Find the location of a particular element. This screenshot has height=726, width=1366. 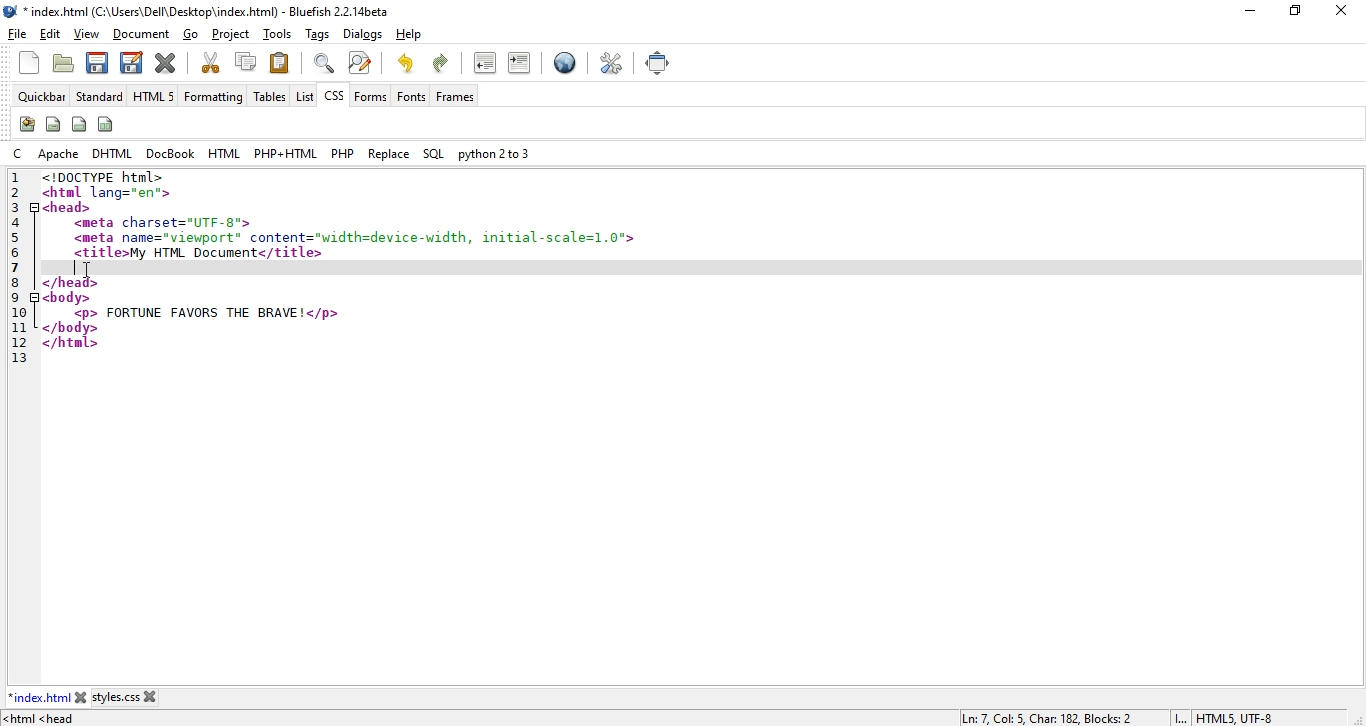

forms is located at coordinates (372, 96).